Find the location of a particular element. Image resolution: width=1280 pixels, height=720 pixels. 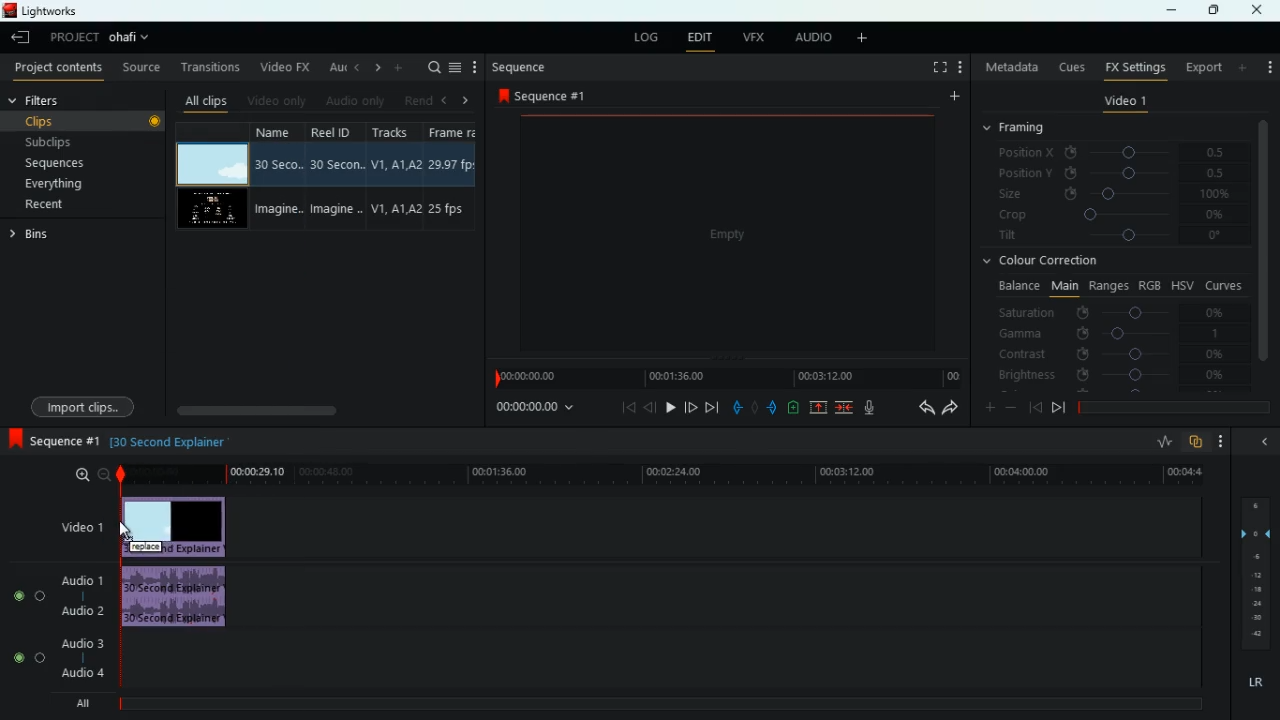

contrast is located at coordinates (1110, 355).